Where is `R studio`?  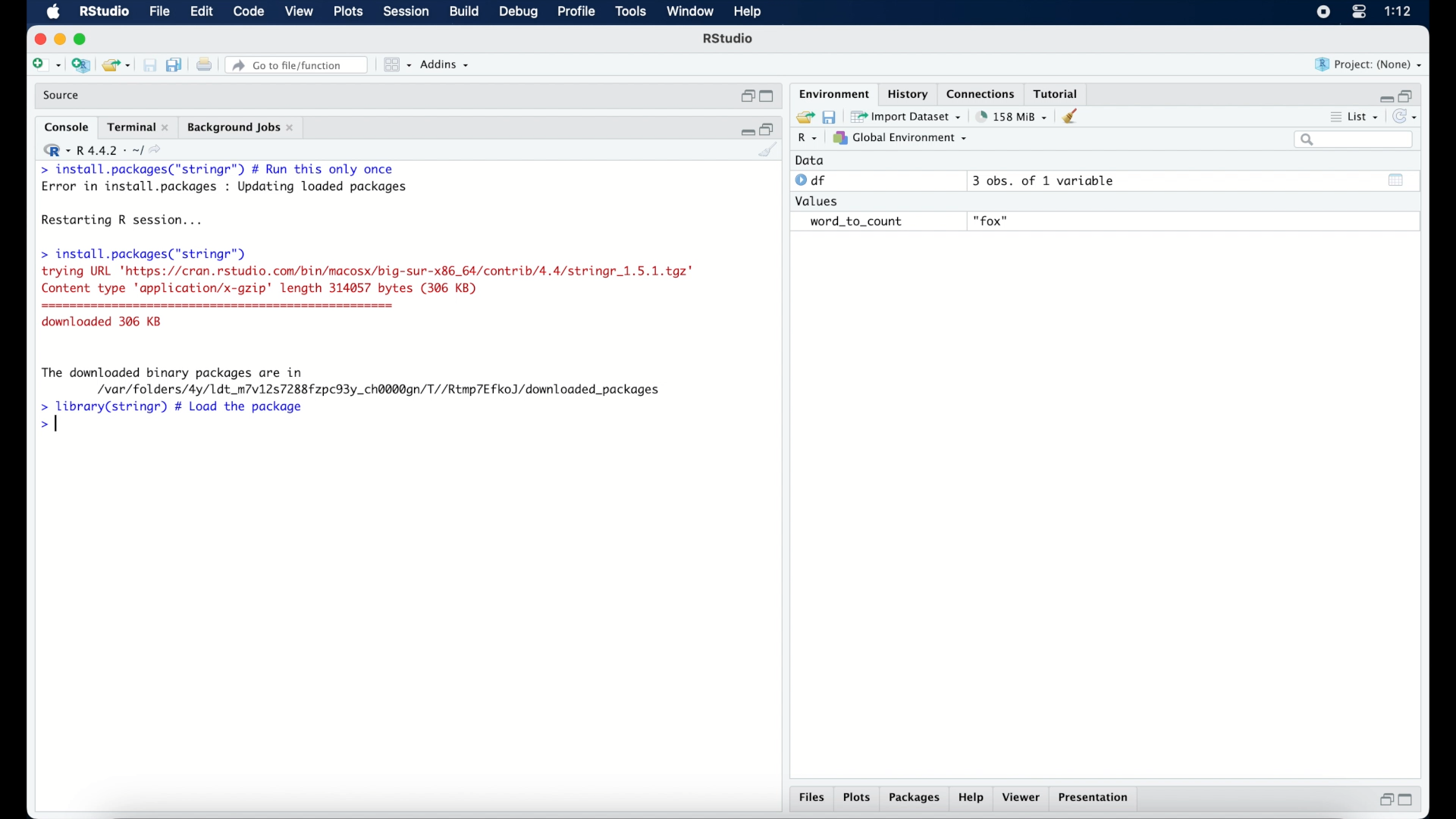 R studio is located at coordinates (728, 39).